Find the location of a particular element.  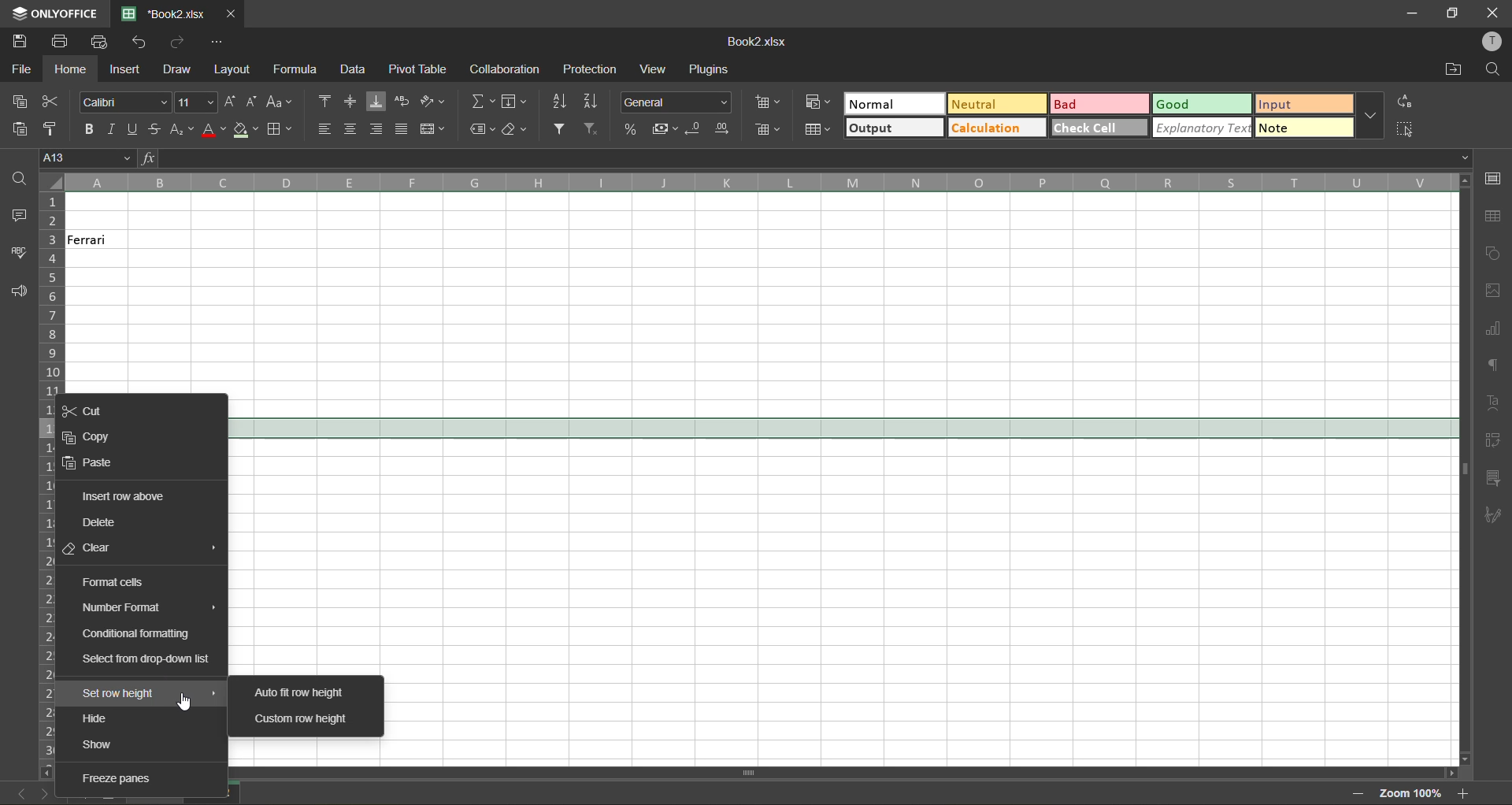

zoom factor is located at coordinates (1413, 793).